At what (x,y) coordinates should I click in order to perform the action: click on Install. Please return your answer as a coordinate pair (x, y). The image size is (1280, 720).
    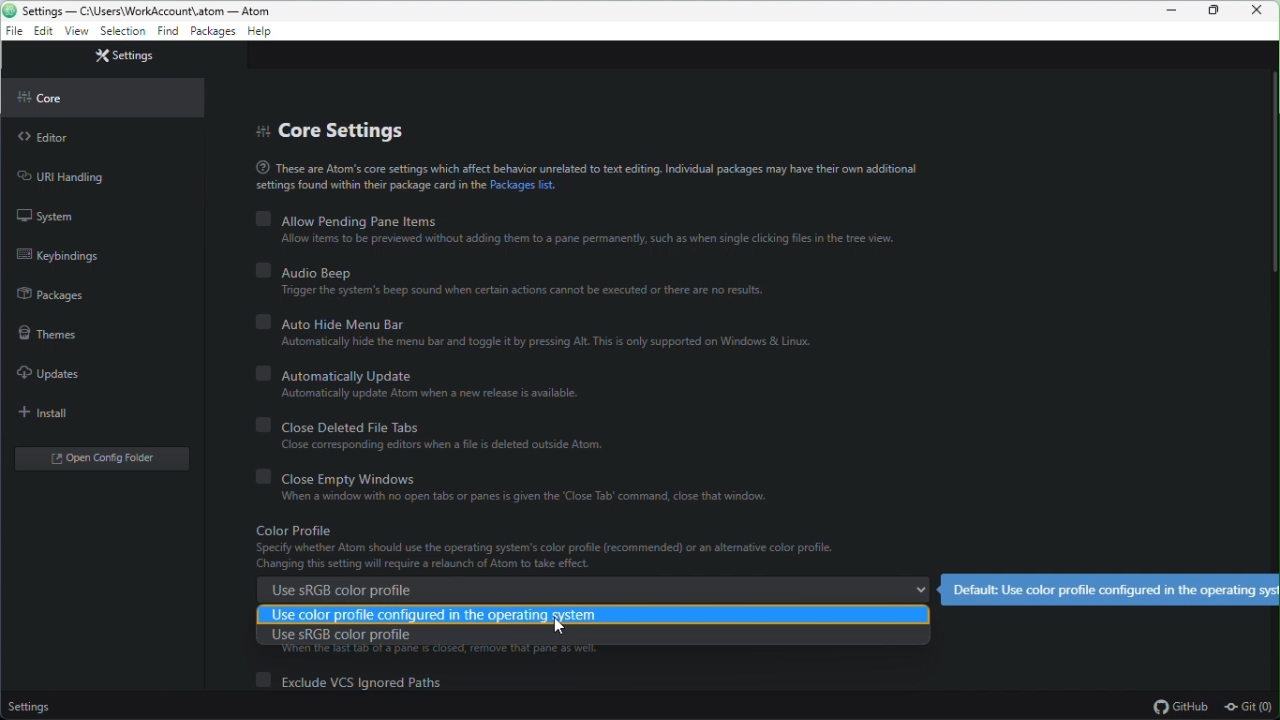
    Looking at the image, I should click on (54, 413).